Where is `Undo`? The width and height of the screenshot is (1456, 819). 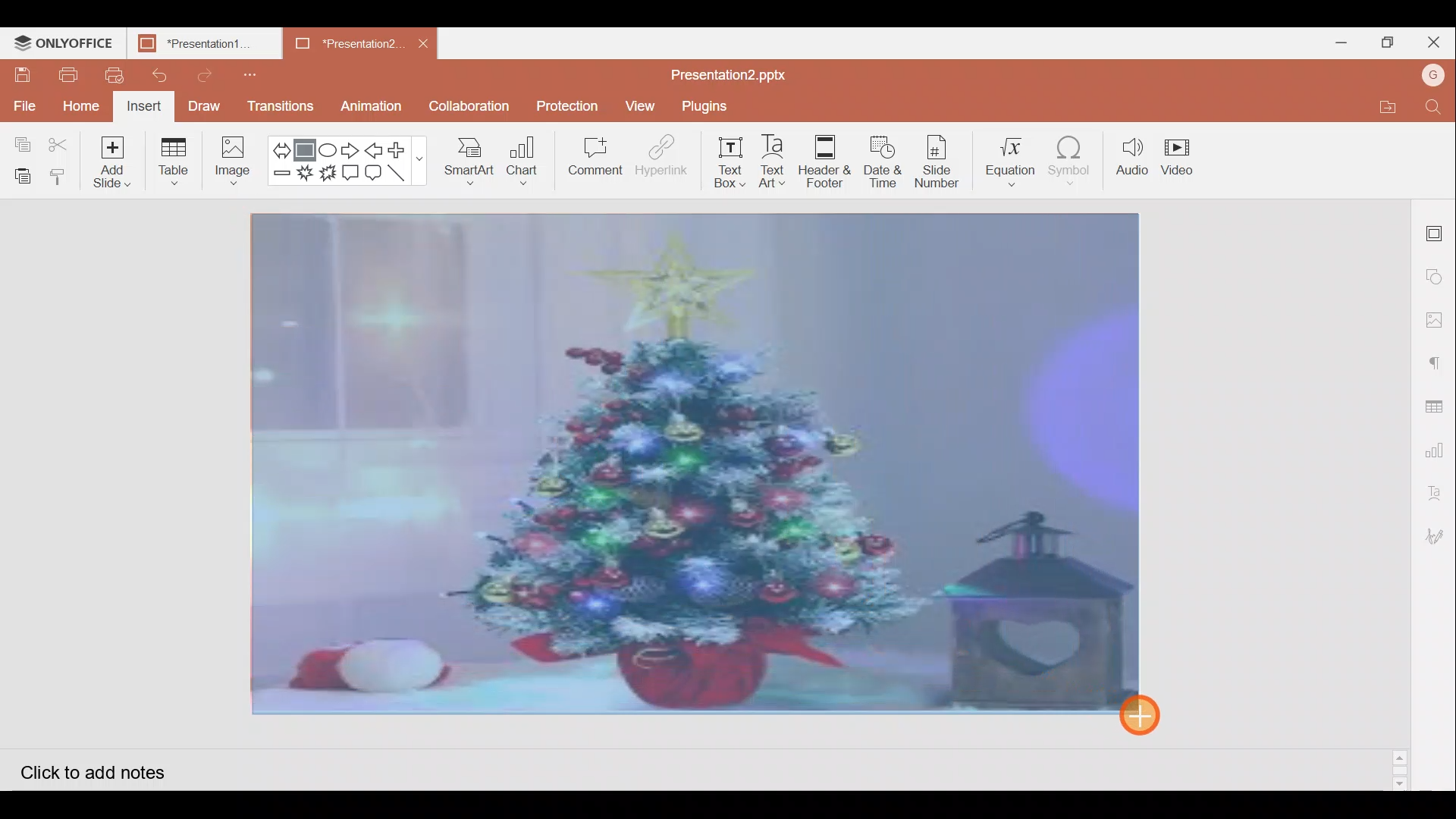
Undo is located at coordinates (160, 76).